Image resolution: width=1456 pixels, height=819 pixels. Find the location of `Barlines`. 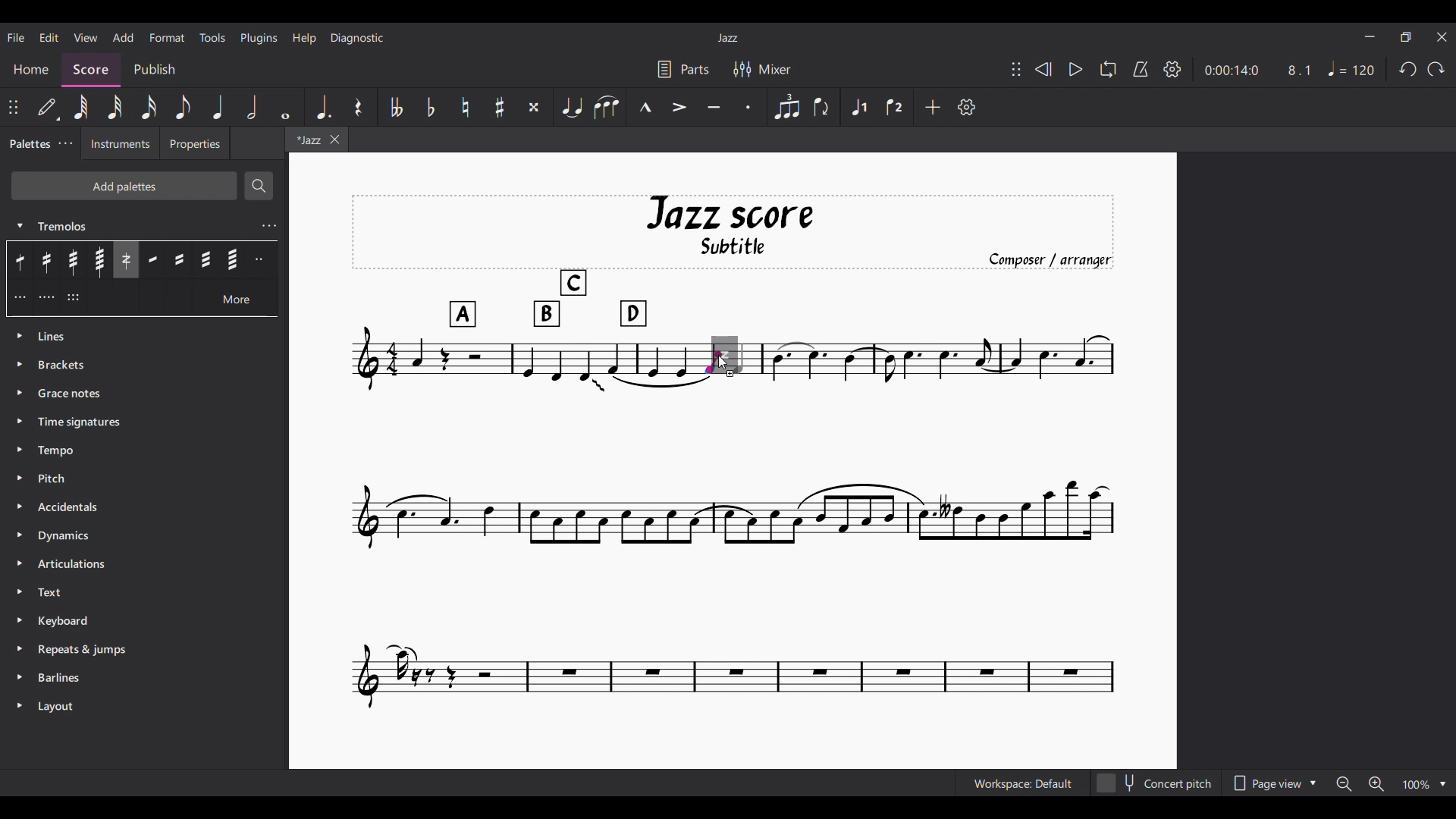

Barlines is located at coordinates (142, 678).